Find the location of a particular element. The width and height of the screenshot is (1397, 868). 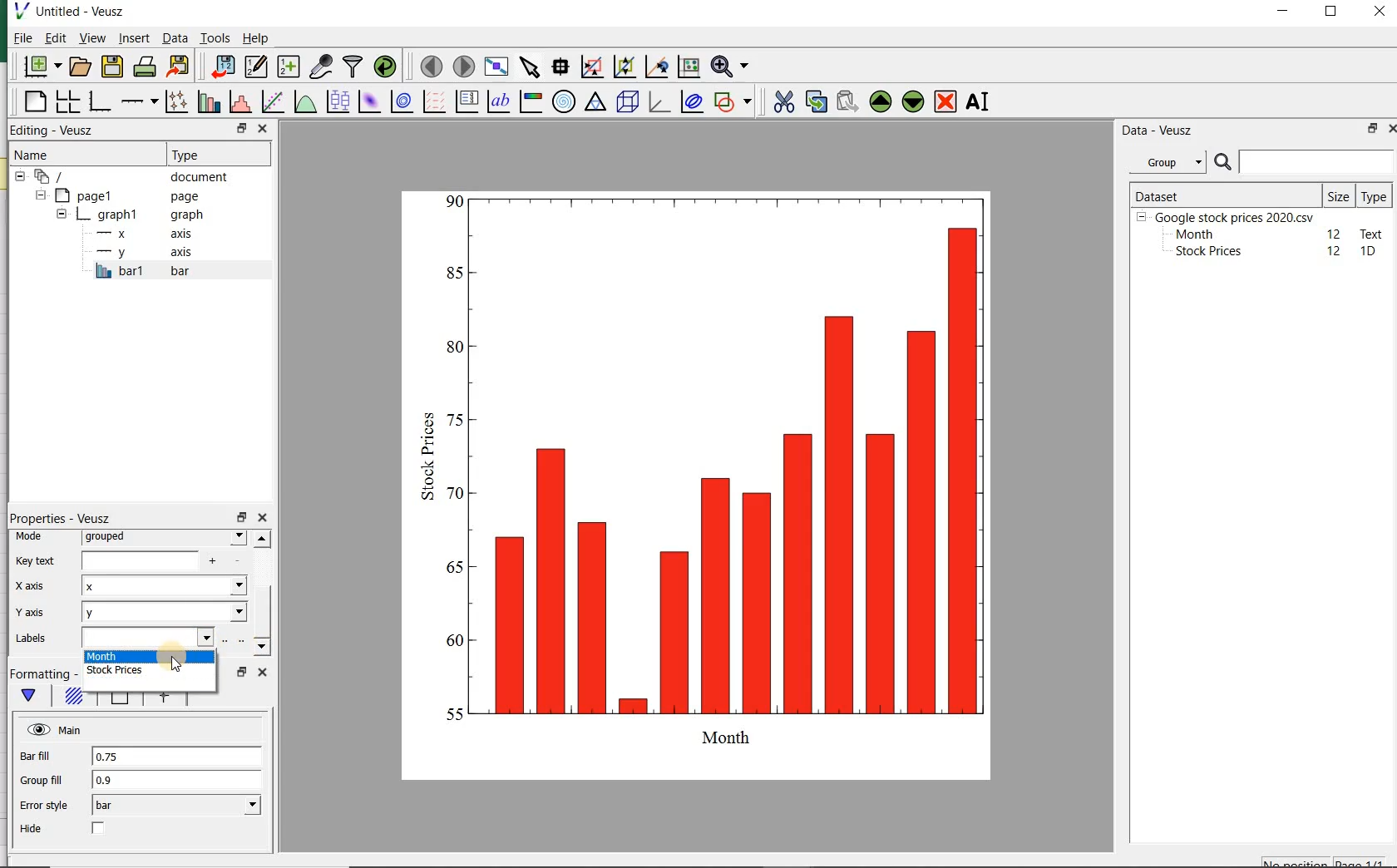

restore is located at coordinates (1370, 130).